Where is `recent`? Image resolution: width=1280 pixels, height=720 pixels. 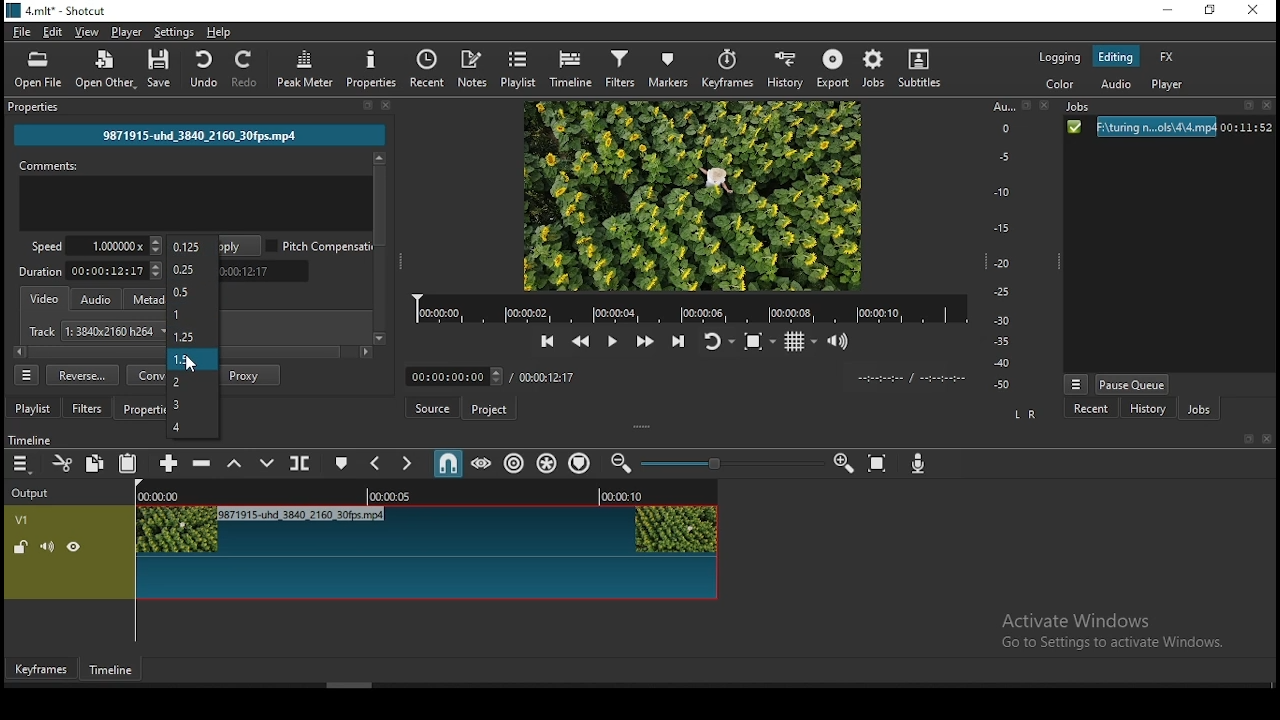 recent is located at coordinates (1092, 409).